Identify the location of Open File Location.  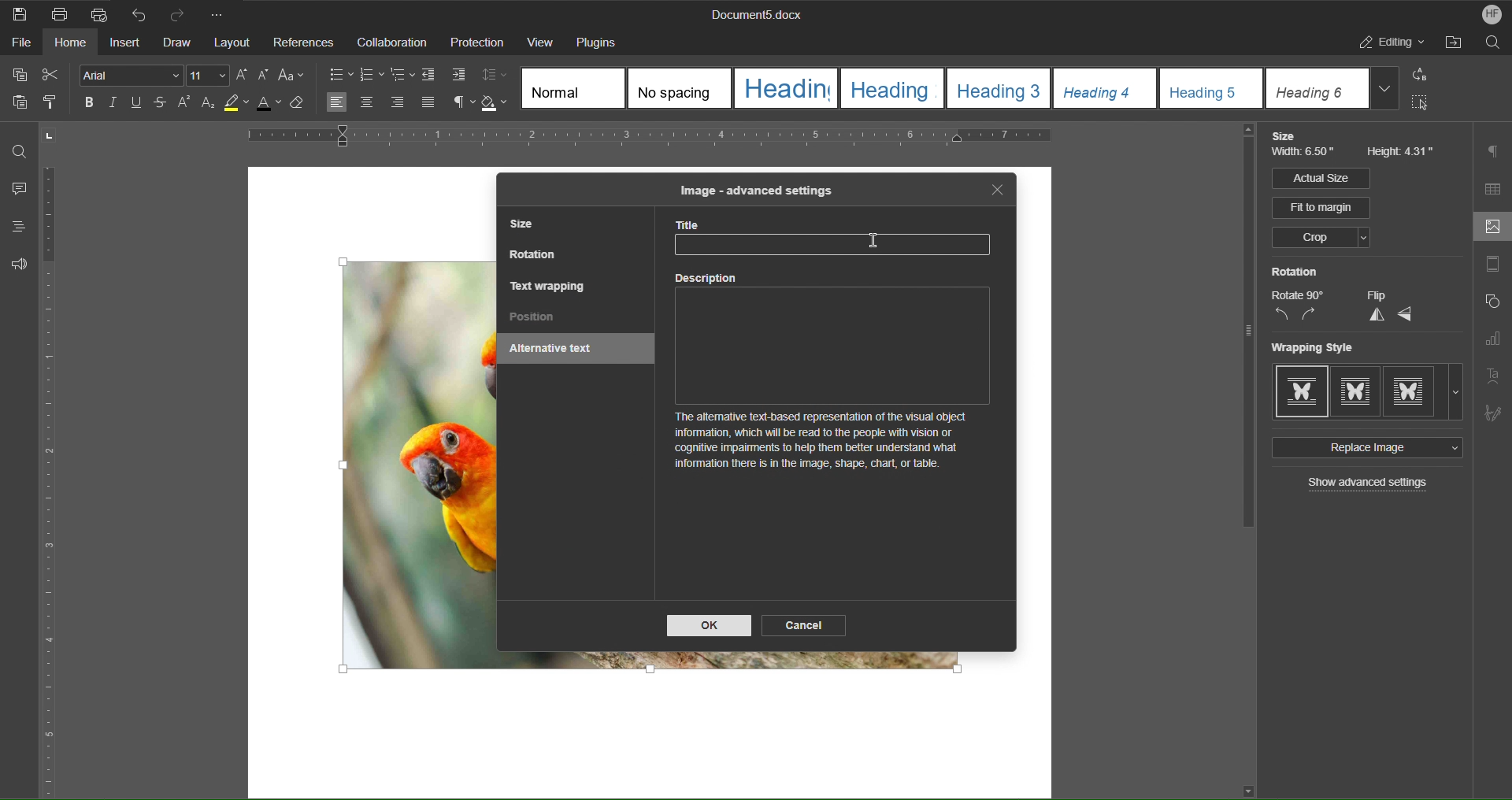
(1456, 45).